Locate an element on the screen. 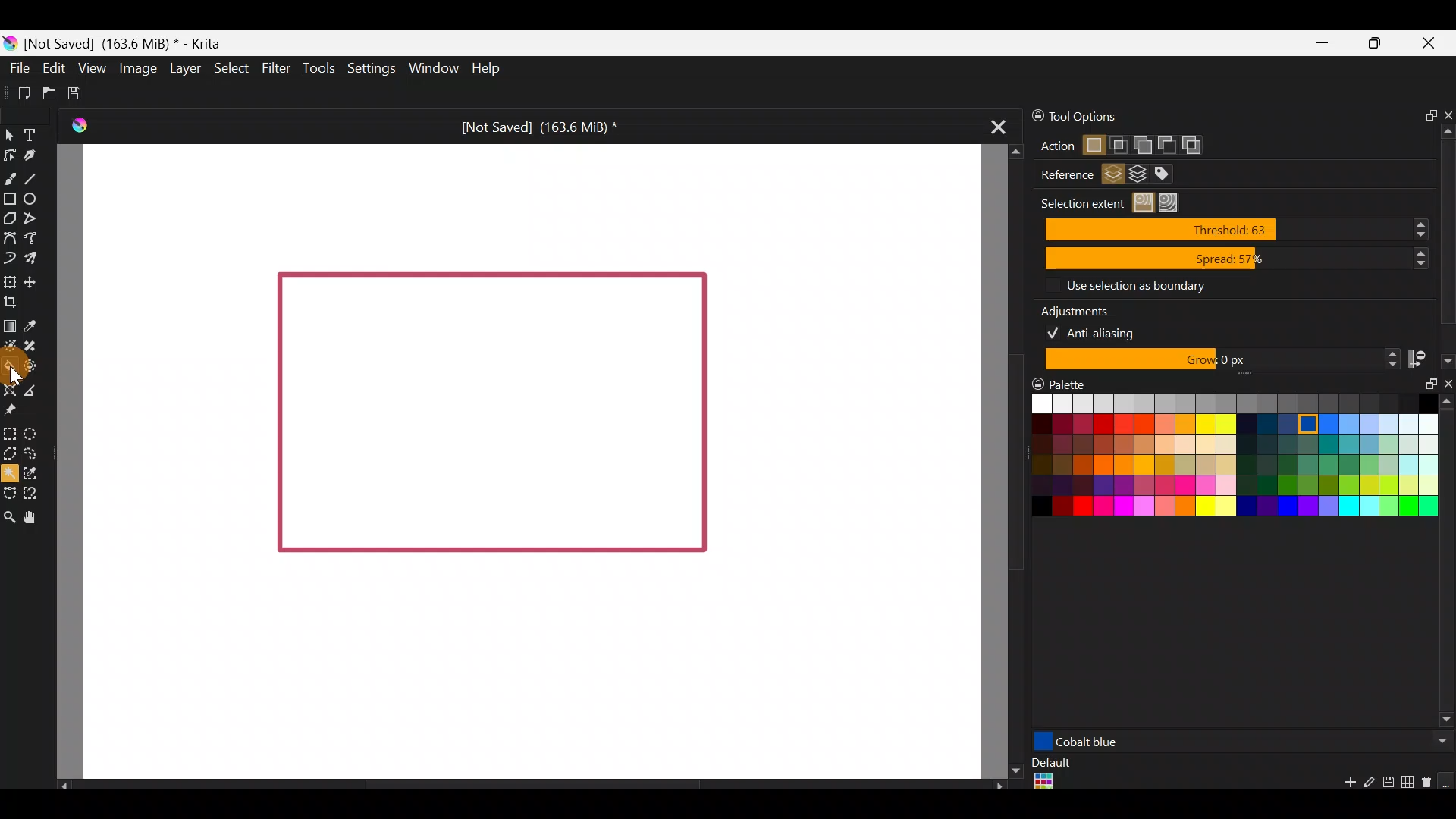 This screenshot has width=1456, height=819. Color palette is located at coordinates (1218, 460).